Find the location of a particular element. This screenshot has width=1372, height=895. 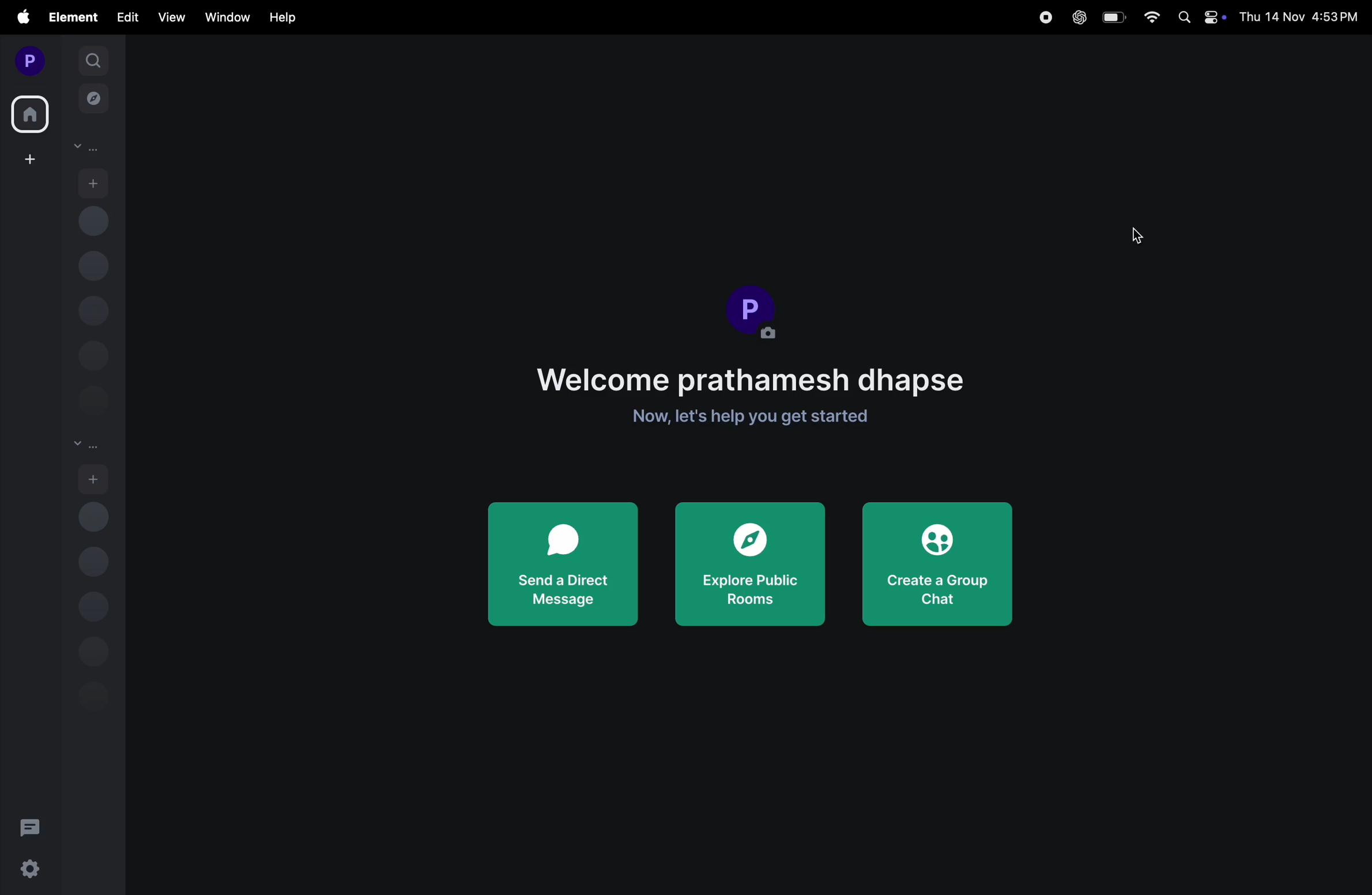

wifi is located at coordinates (1150, 20).